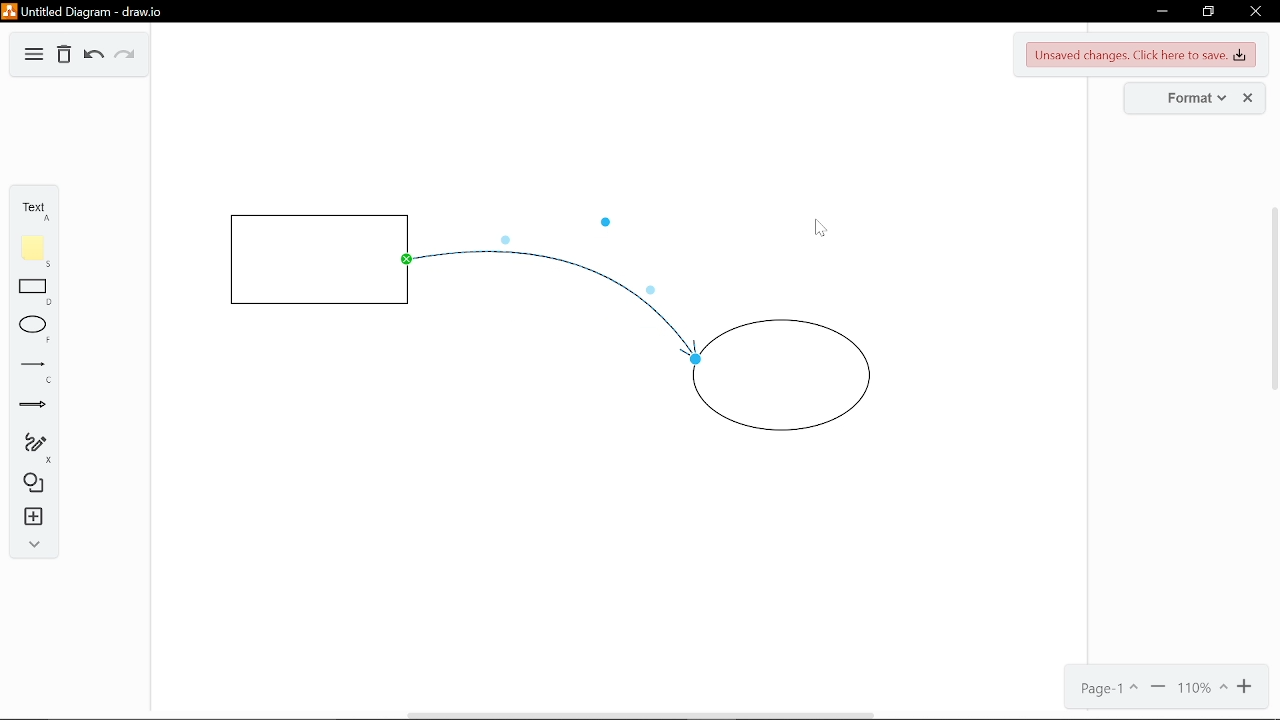  I want to click on Cursor, so click(814, 227).